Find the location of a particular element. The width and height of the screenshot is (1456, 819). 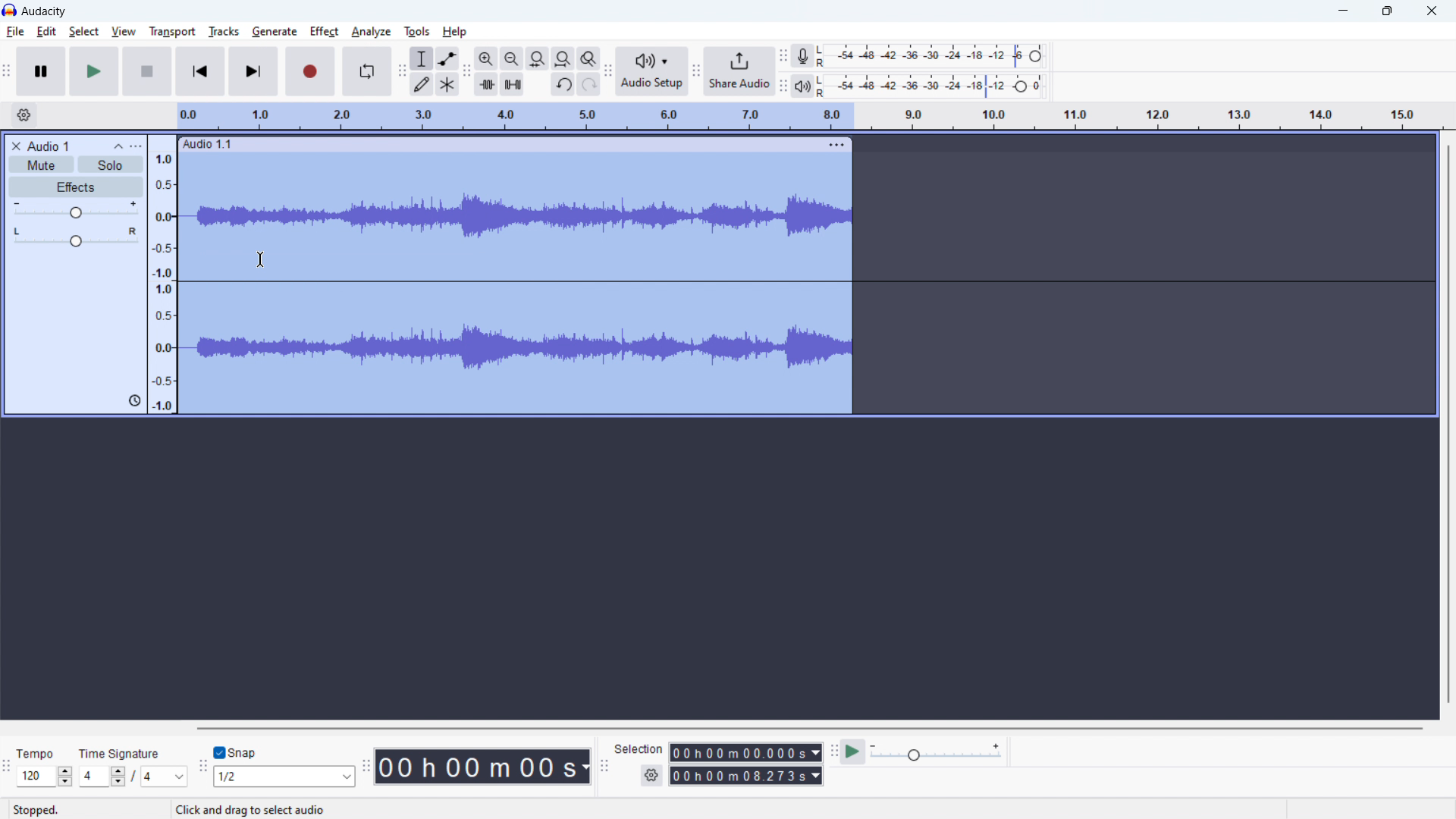

Selection is located at coordinates (639, 748).